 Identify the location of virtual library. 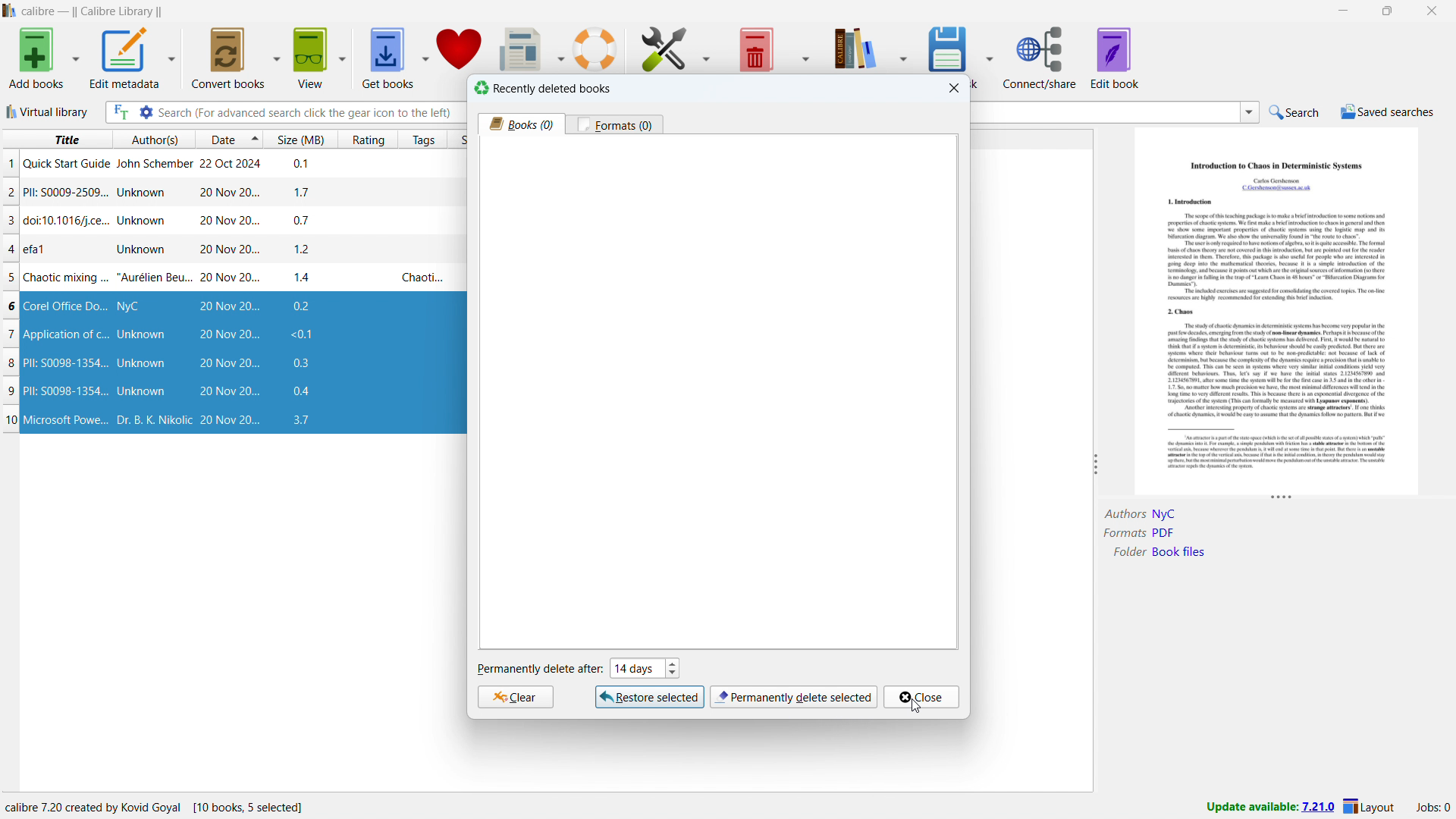
(46, 111).